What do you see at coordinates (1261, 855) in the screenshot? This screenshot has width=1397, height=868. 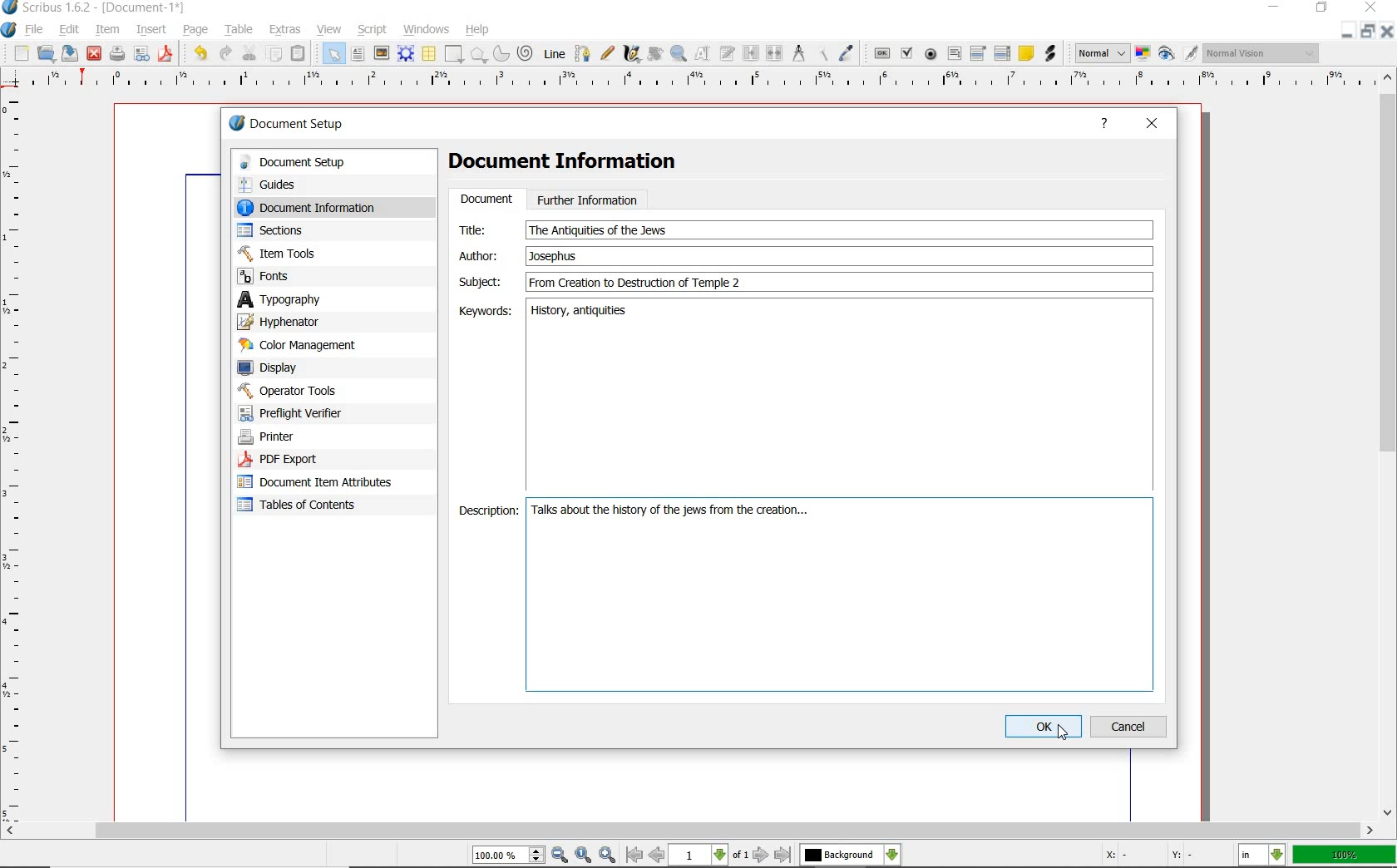 I see `select the current unit` at bounding box center [1261, 855].